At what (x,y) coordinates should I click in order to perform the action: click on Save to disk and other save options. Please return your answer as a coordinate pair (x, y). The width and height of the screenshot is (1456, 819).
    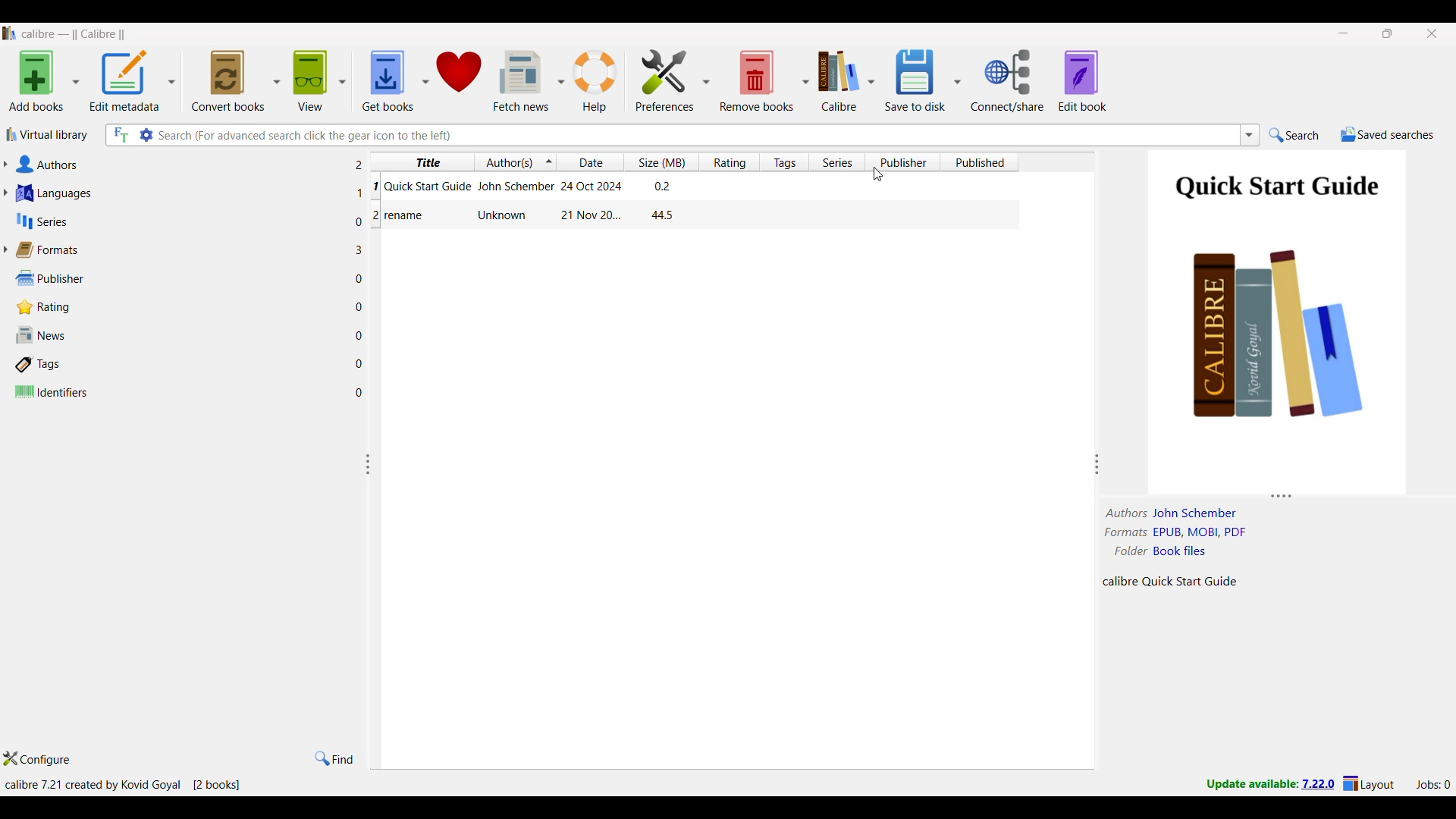
    Looking at the image, I should click on (922, 80).